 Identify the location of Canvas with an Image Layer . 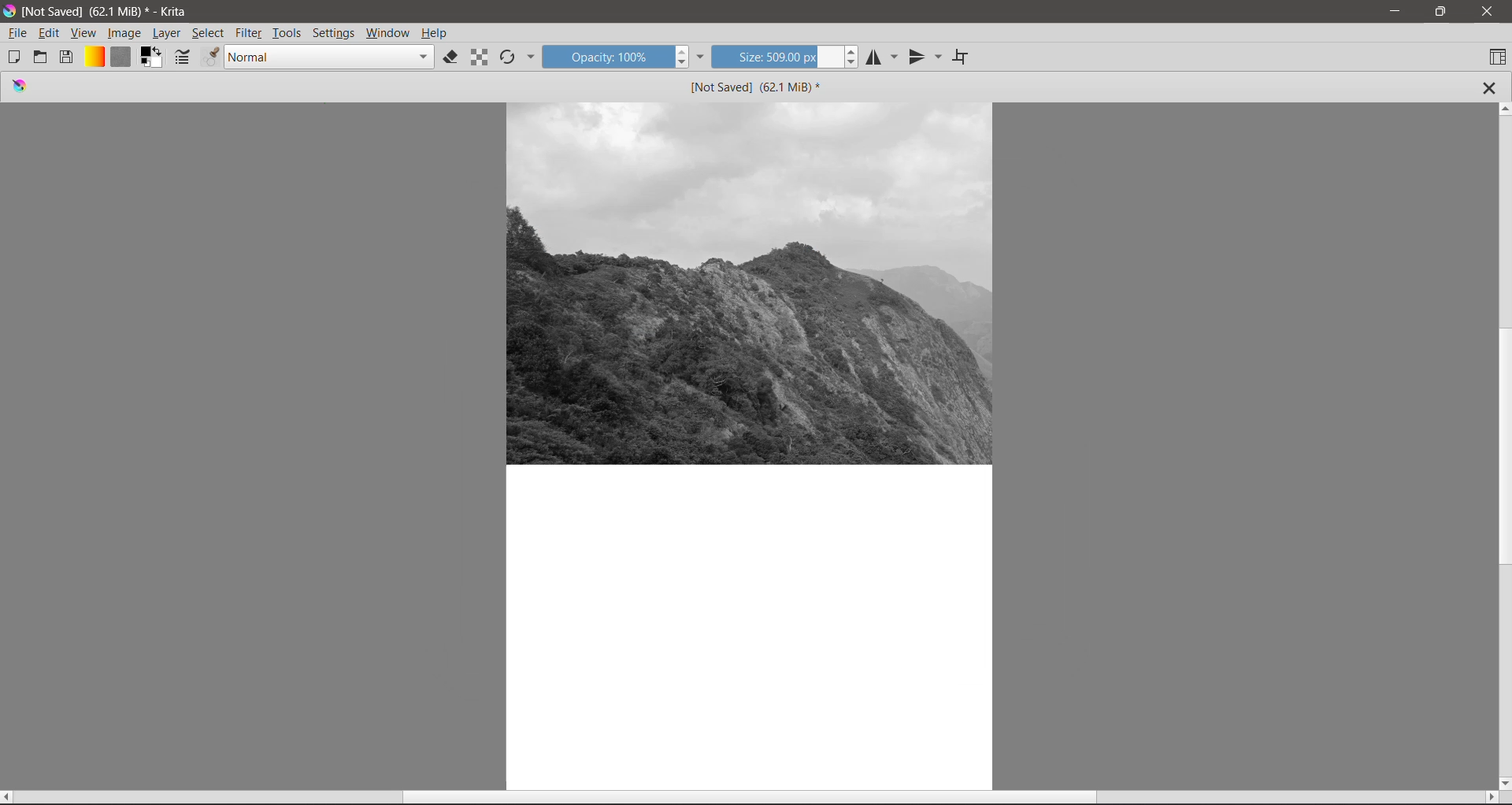
(752, 447).